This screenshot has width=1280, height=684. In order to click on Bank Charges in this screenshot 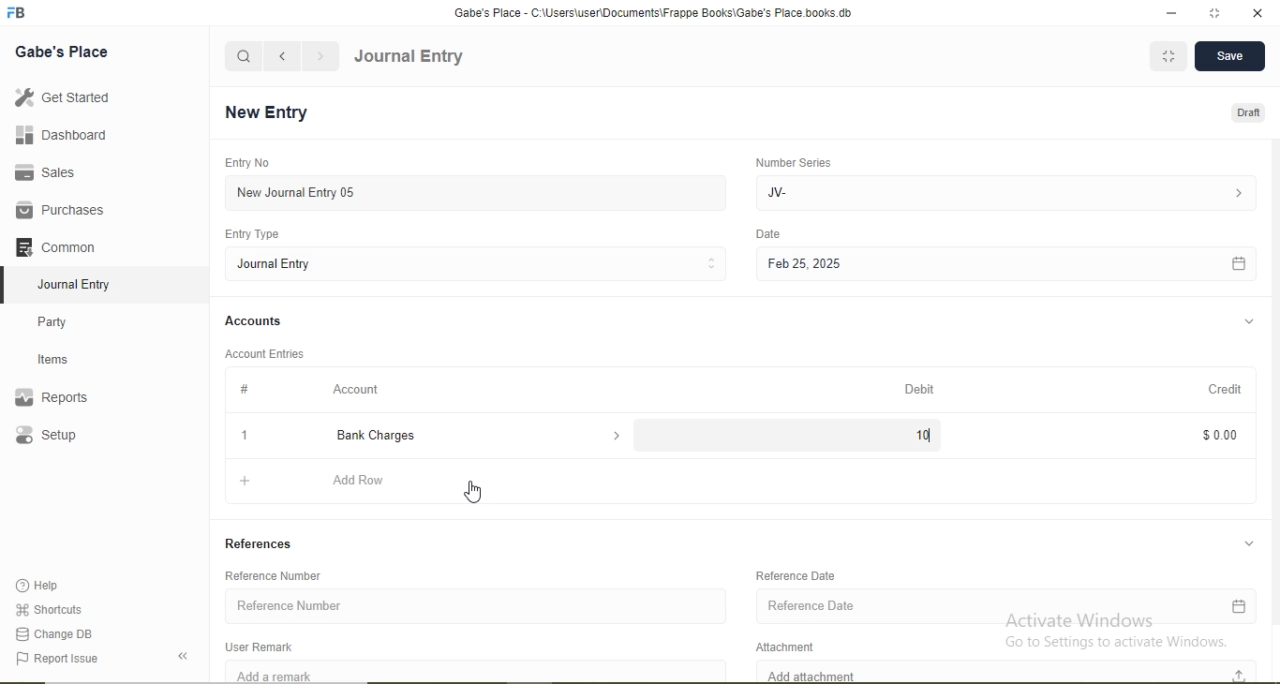, I will do `click(468, 435)`.